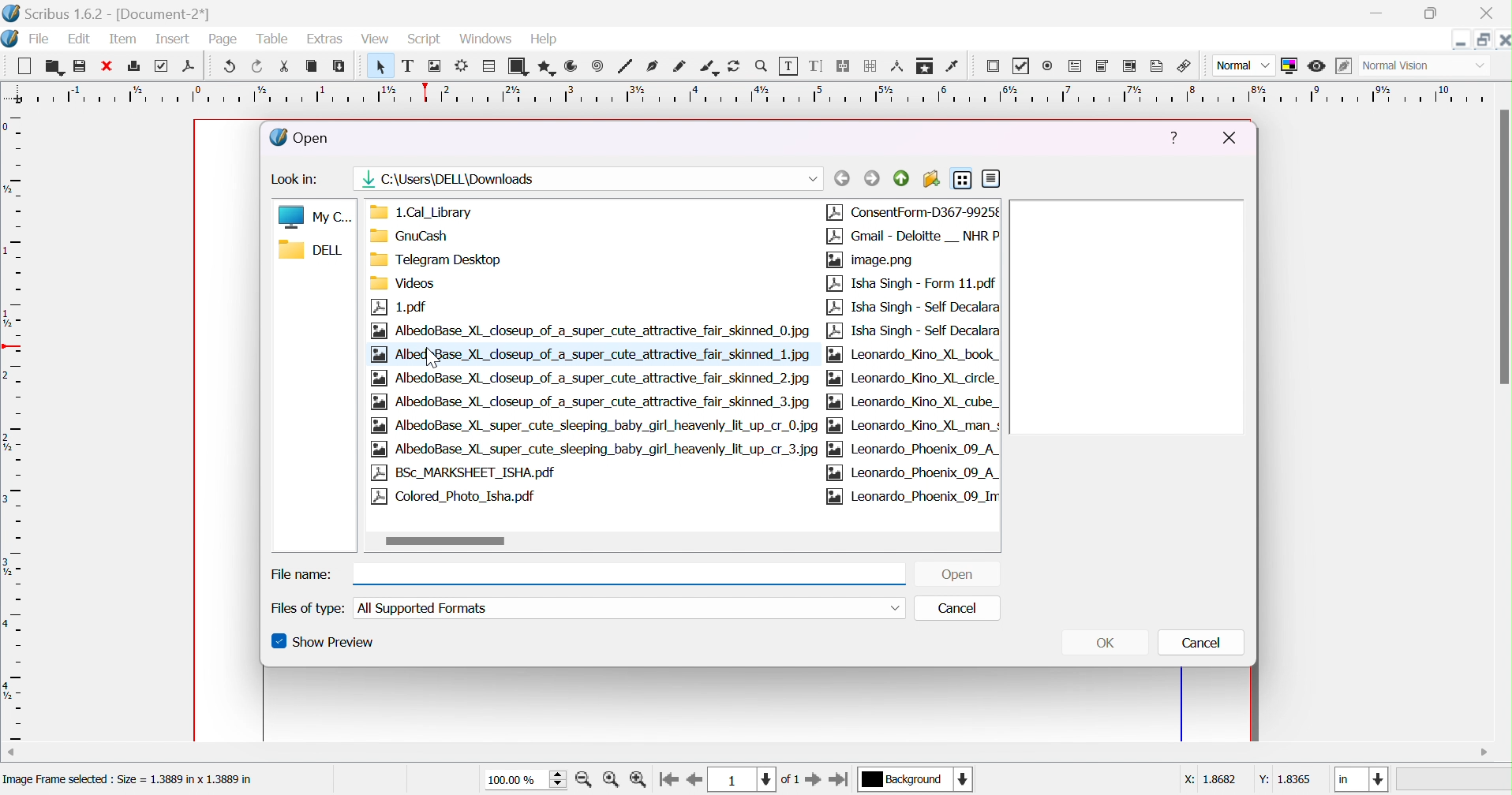 This screenshot has height=795, width=1512. What do you see at coordinates (411, 234) in the screenshot?
I see `GnuCash` at bounding box center [411, 234].